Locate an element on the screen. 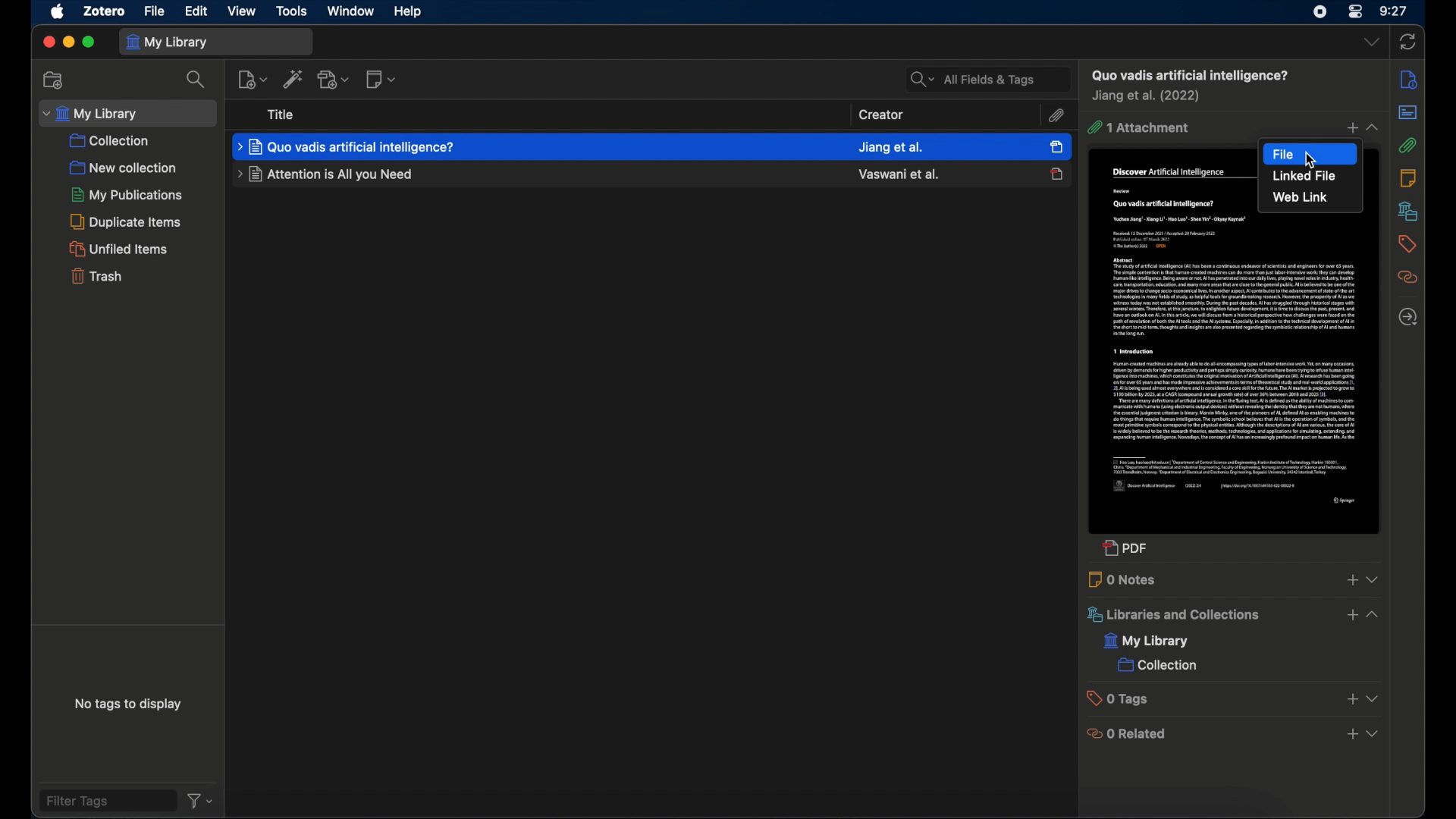 The image size is (1456, 819). pdf is located at coordinates (1126, 551).